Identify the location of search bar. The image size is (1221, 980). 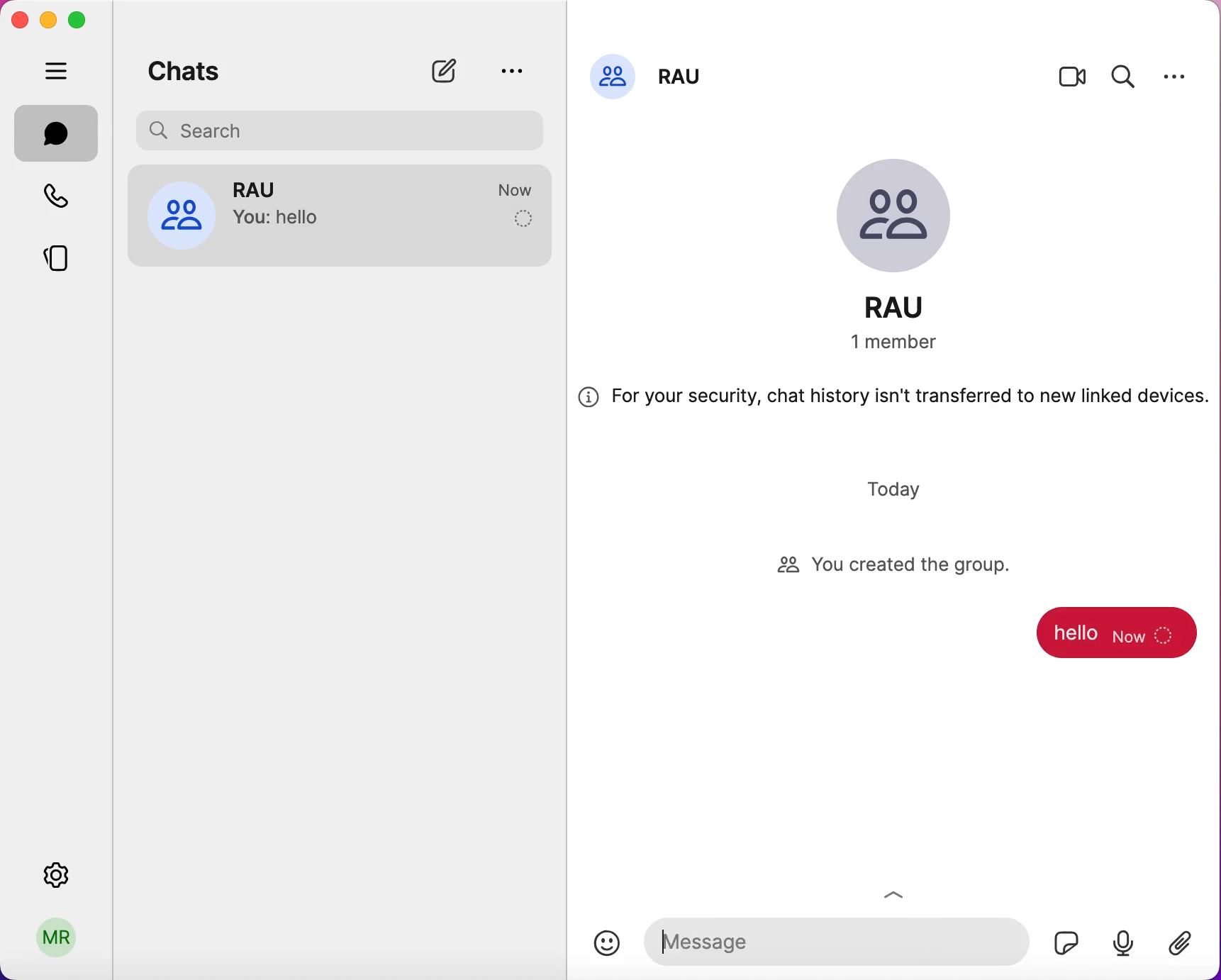
(345, 128).